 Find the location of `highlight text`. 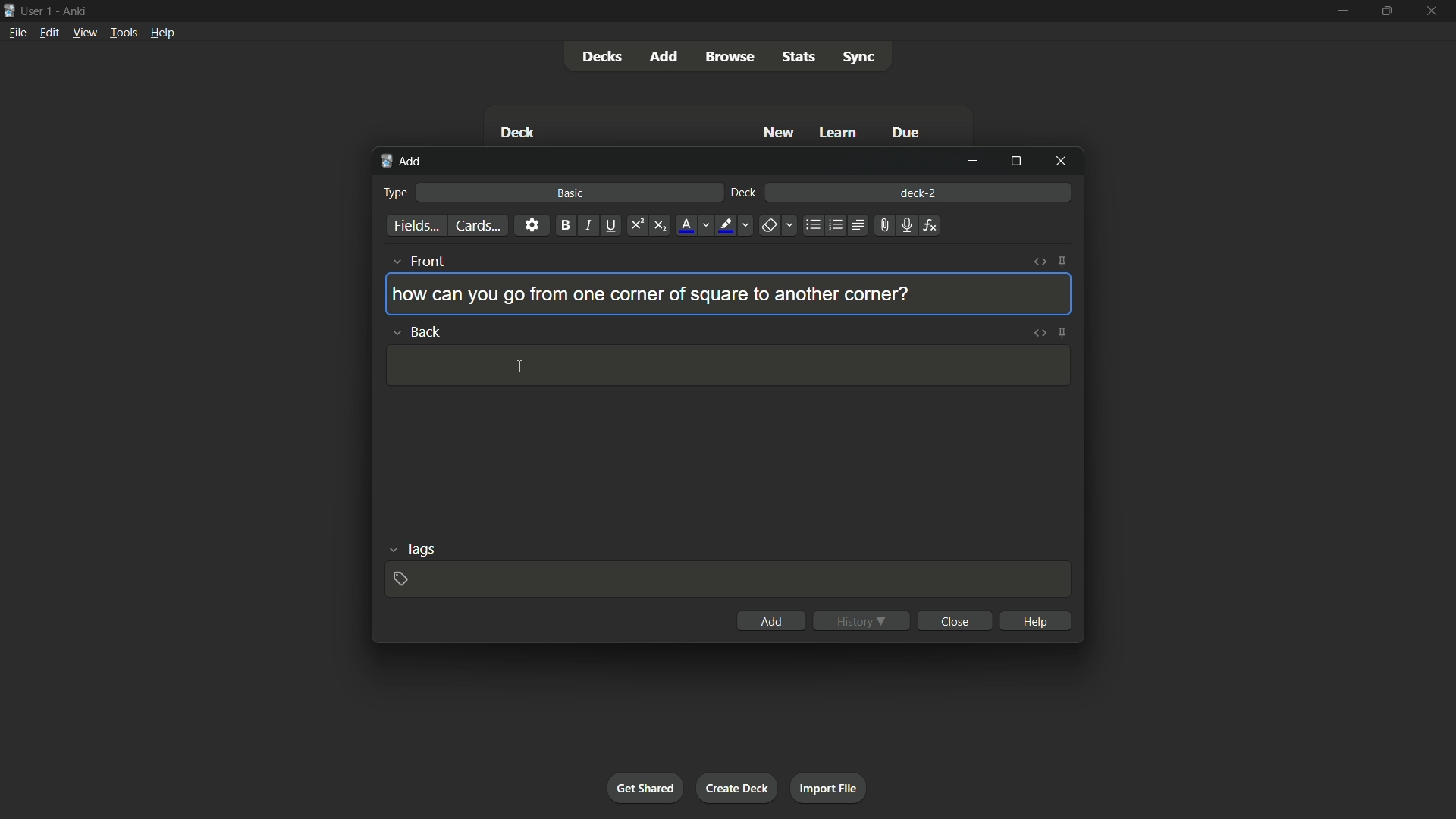

highlight text is located at coordinates (734, 226).